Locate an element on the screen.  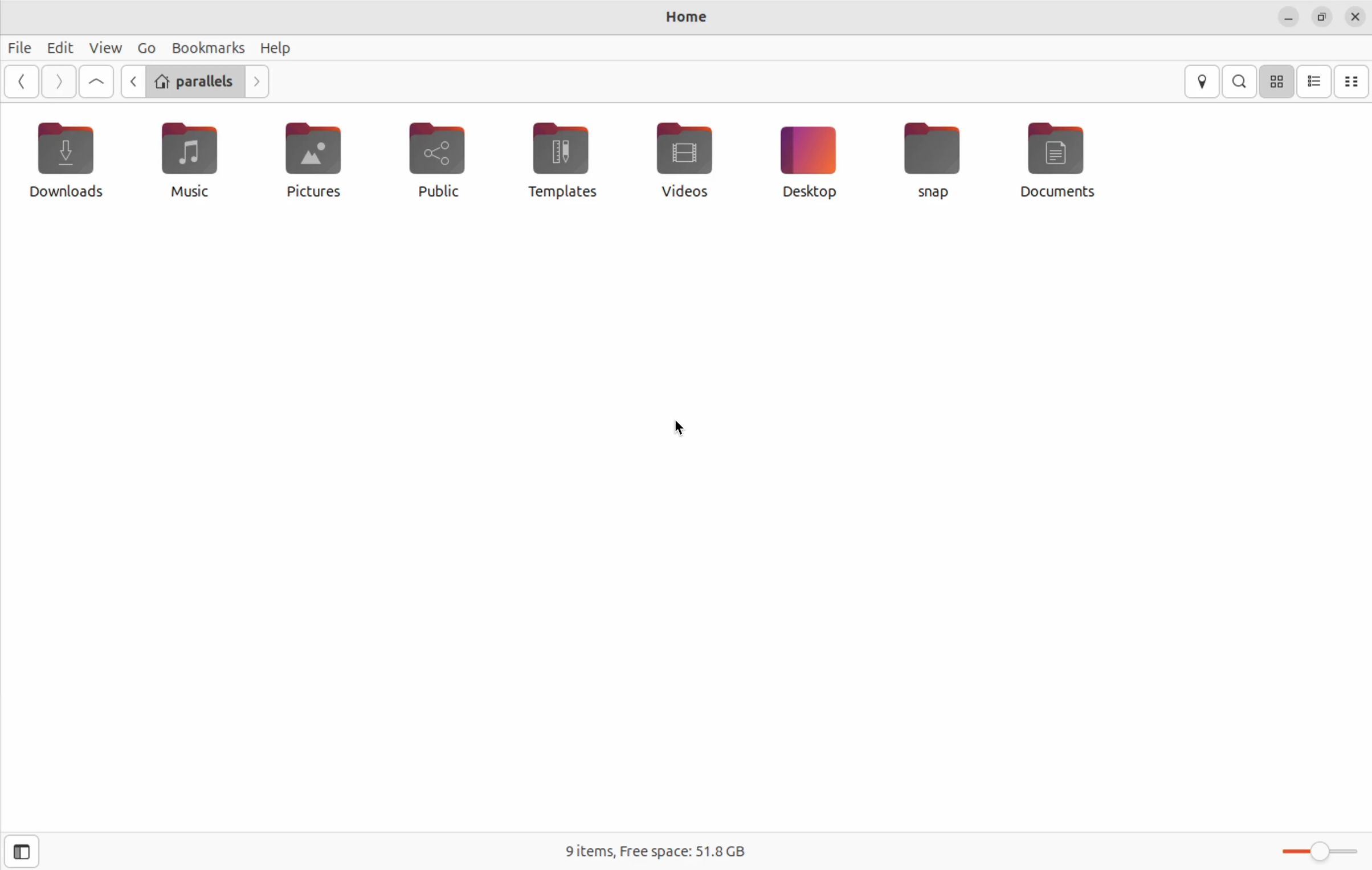
Edit is located at coordinates (59, 47).